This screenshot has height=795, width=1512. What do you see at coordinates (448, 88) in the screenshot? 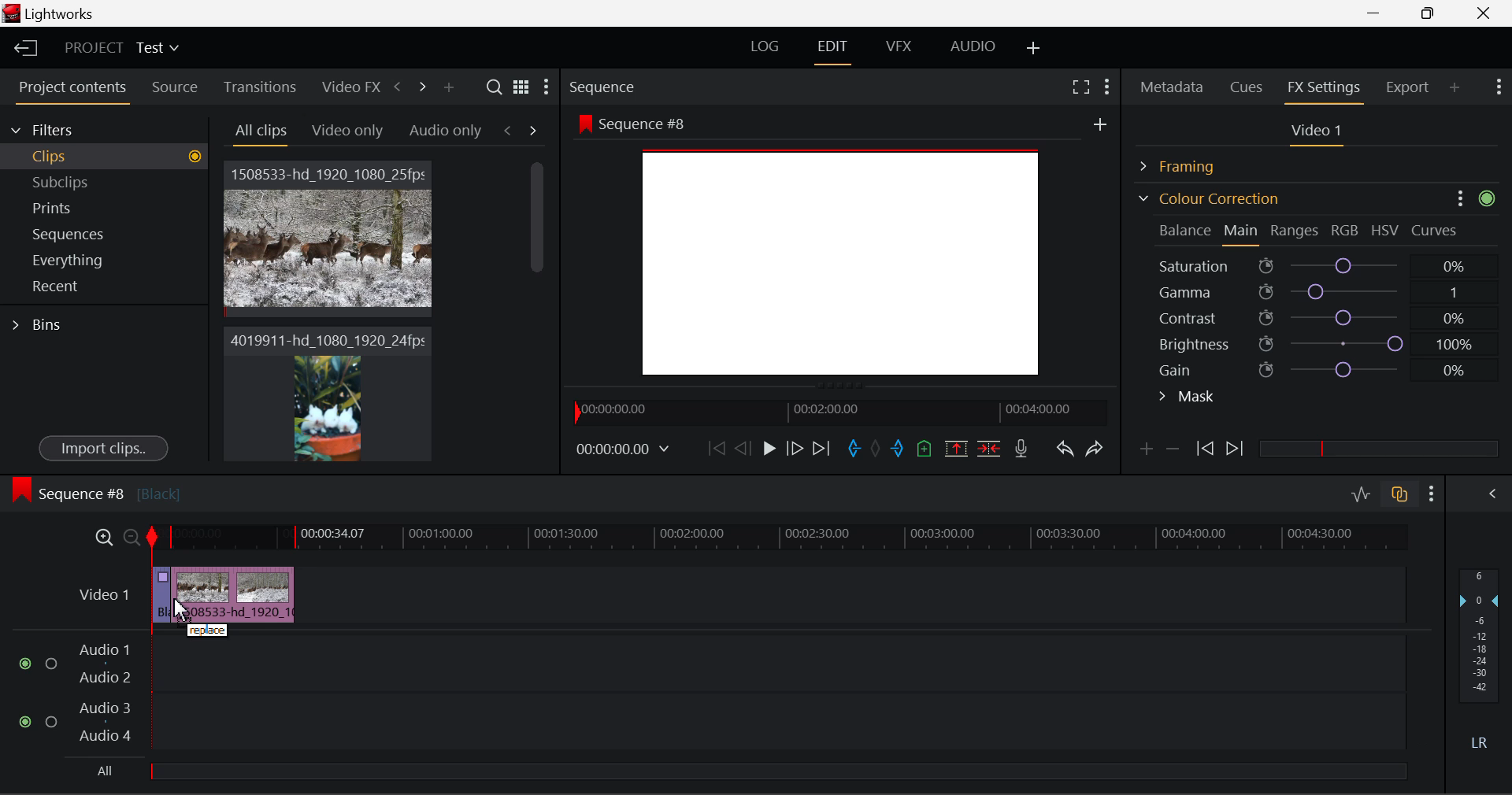
I see `Add Panel` at bounding box center [448, 88].